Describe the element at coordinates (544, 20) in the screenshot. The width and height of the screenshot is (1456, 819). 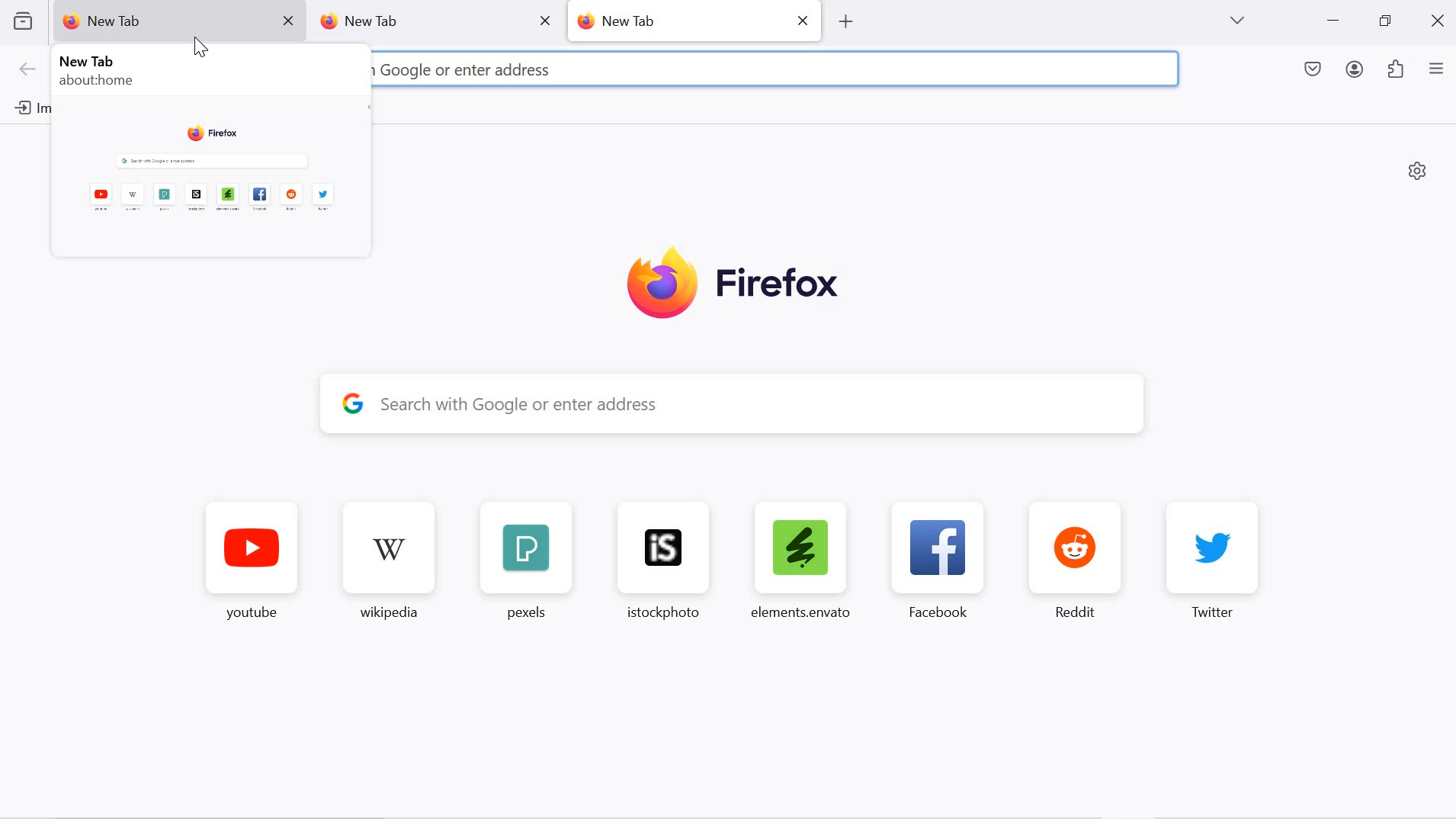
I see `close` at that location.